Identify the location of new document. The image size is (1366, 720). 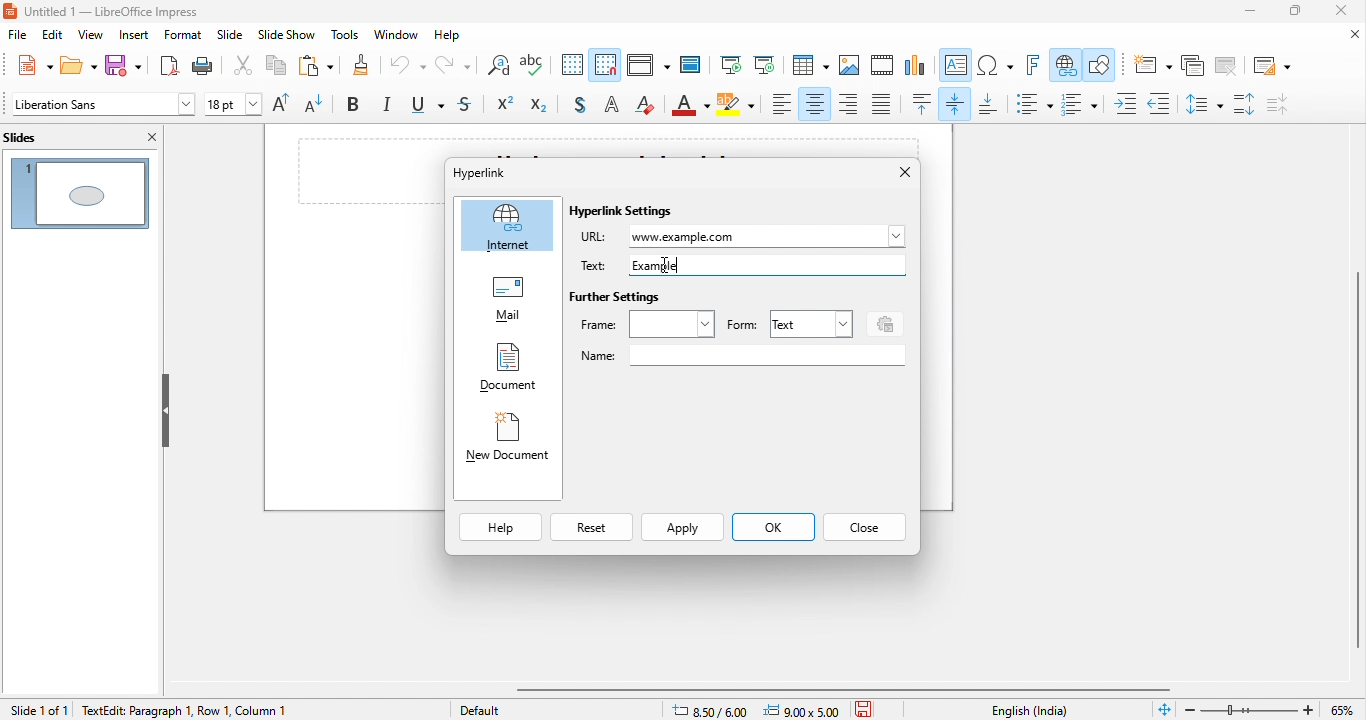
(507, 442).